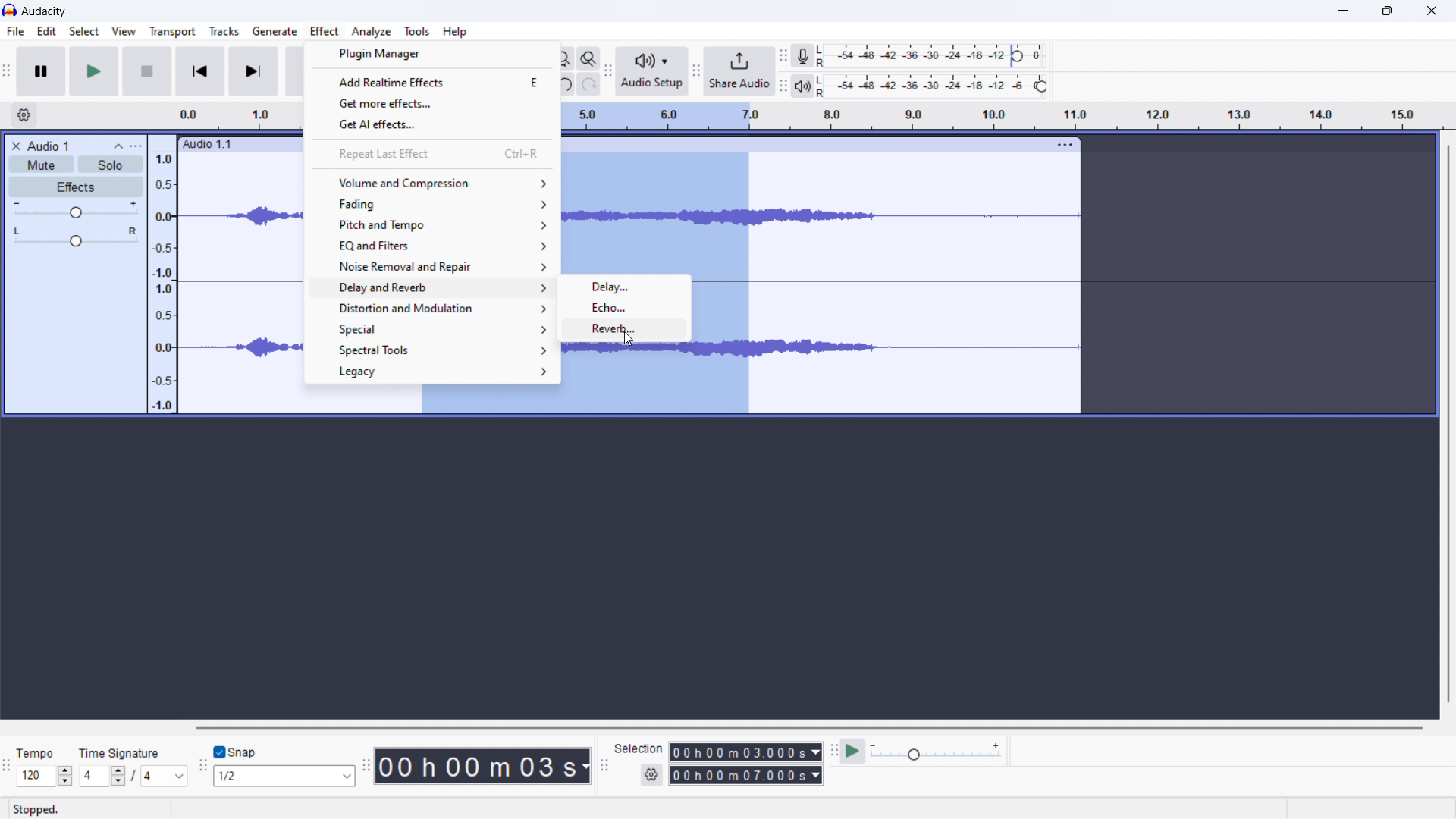  Describe the element at coordinates (237, 752) in the screenshot. I see `toggle snap` at that location.